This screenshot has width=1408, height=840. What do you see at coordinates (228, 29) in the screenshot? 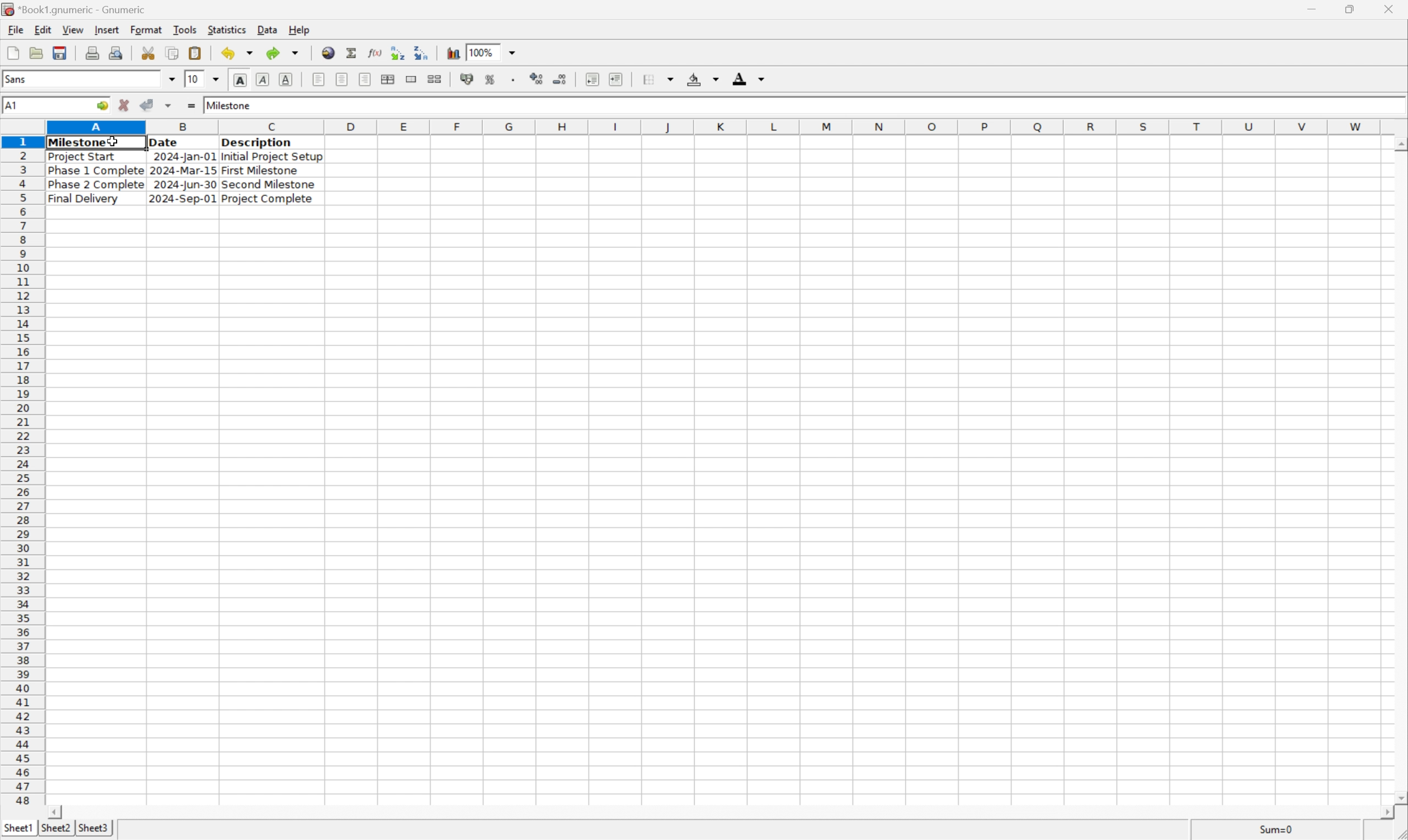
I see `statistics` at bounding box center [228, 29].